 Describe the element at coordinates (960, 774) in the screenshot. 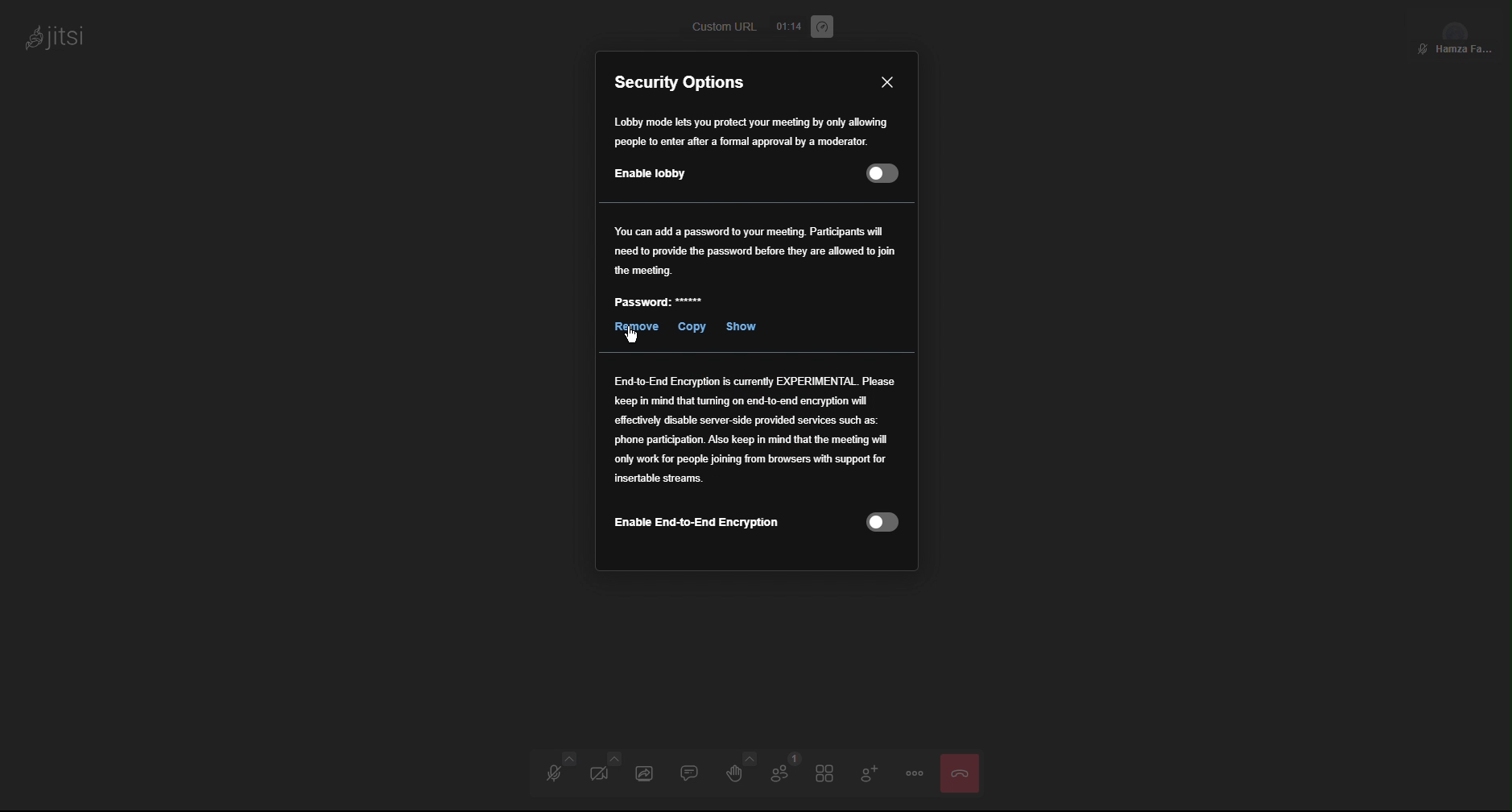

I see `Close` at that location.